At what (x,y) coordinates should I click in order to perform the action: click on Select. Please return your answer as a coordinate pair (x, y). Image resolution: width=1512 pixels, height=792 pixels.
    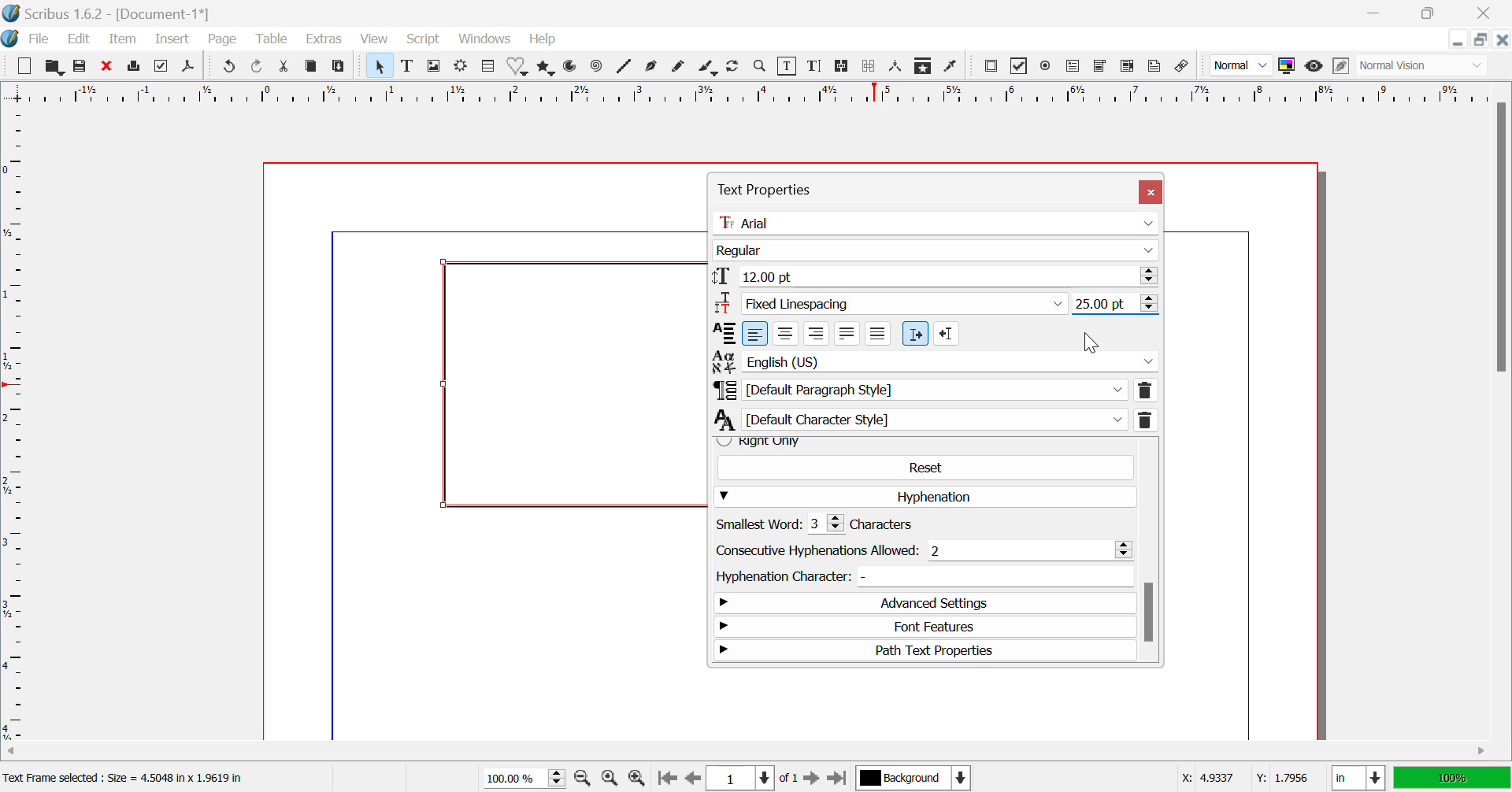
    Looking at the image, I should click on (379, 65).